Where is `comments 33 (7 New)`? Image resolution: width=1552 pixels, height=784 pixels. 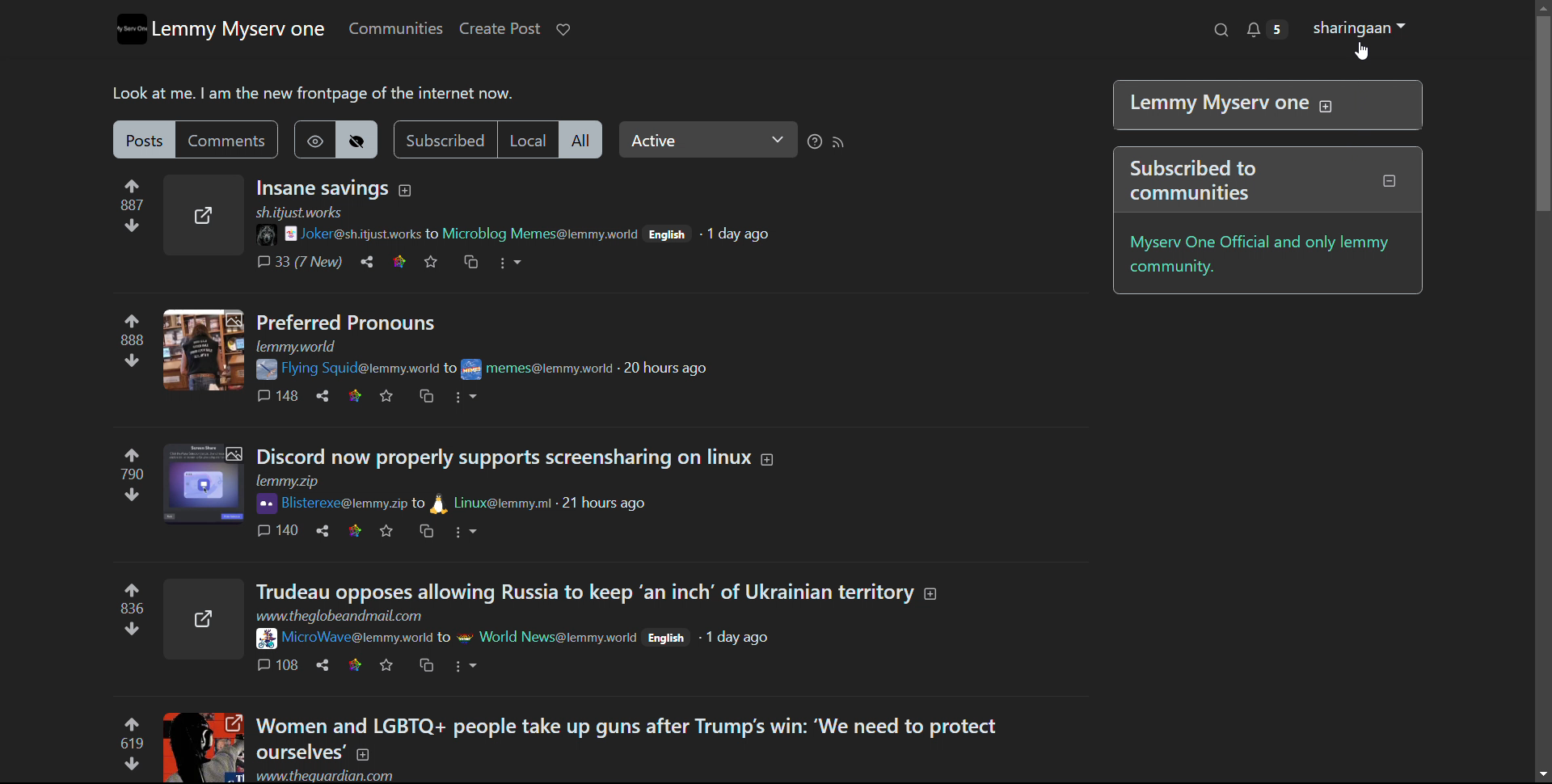
comments 33 (7 New) is located at coordinates (298, 262).